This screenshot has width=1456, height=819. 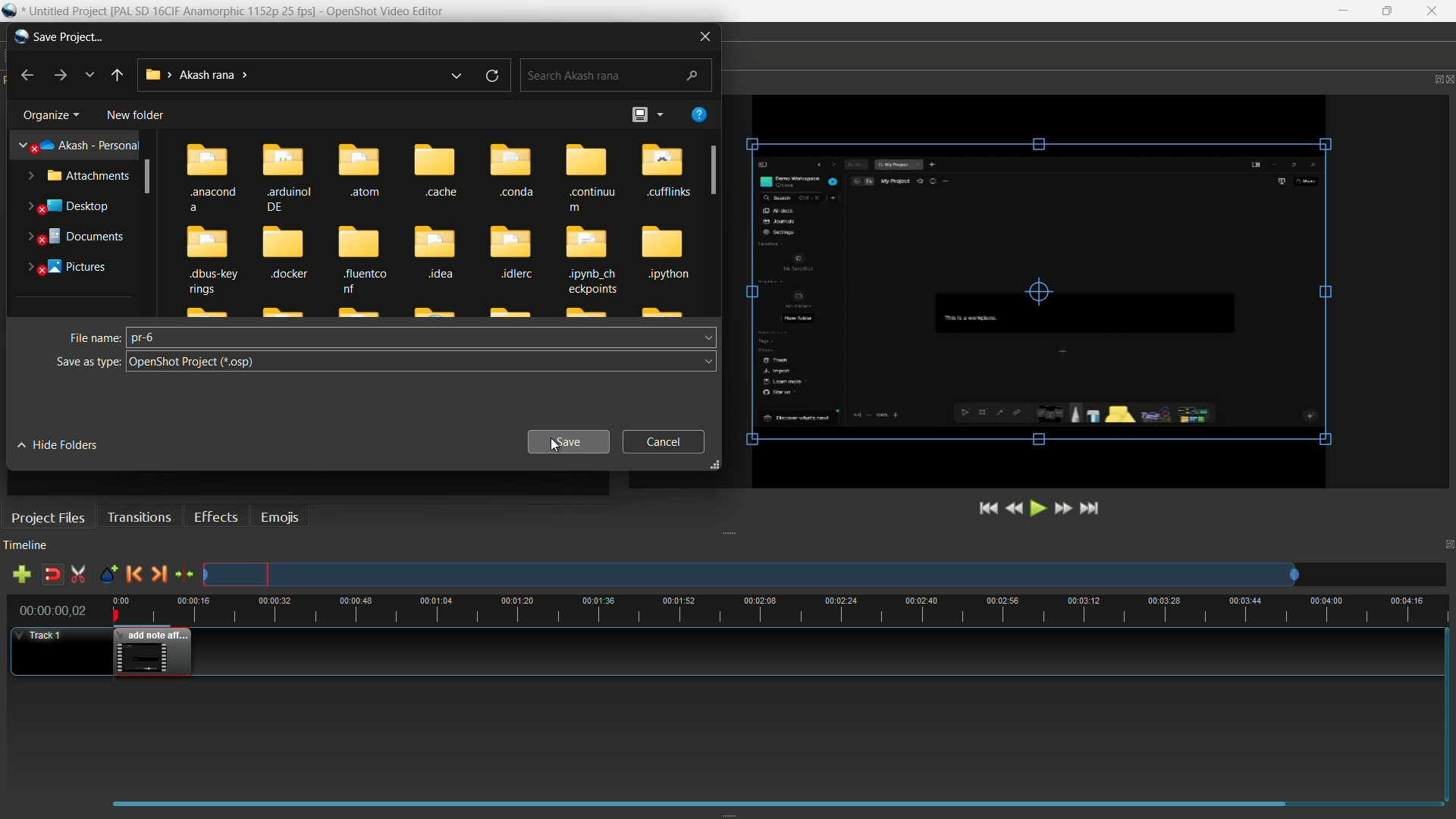 What do you see at coordinates (108, 575) in the screenshot?
I see `create marker` at bounding box center [108, 575].